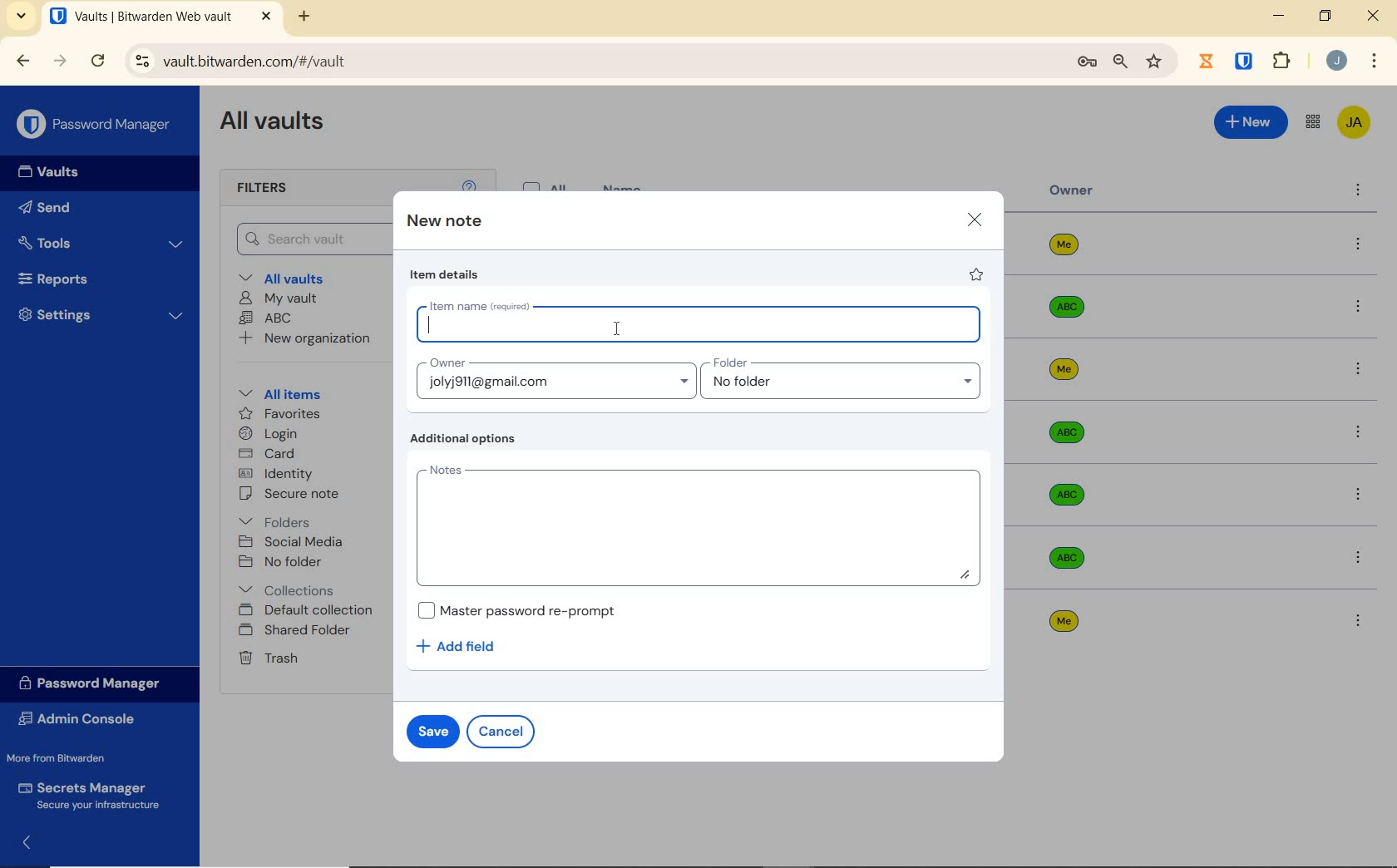 This screenshot has width=1397, height=868. Describe the element at coordinates (101, 241) in the screenshot. I see `Tools` at that location.